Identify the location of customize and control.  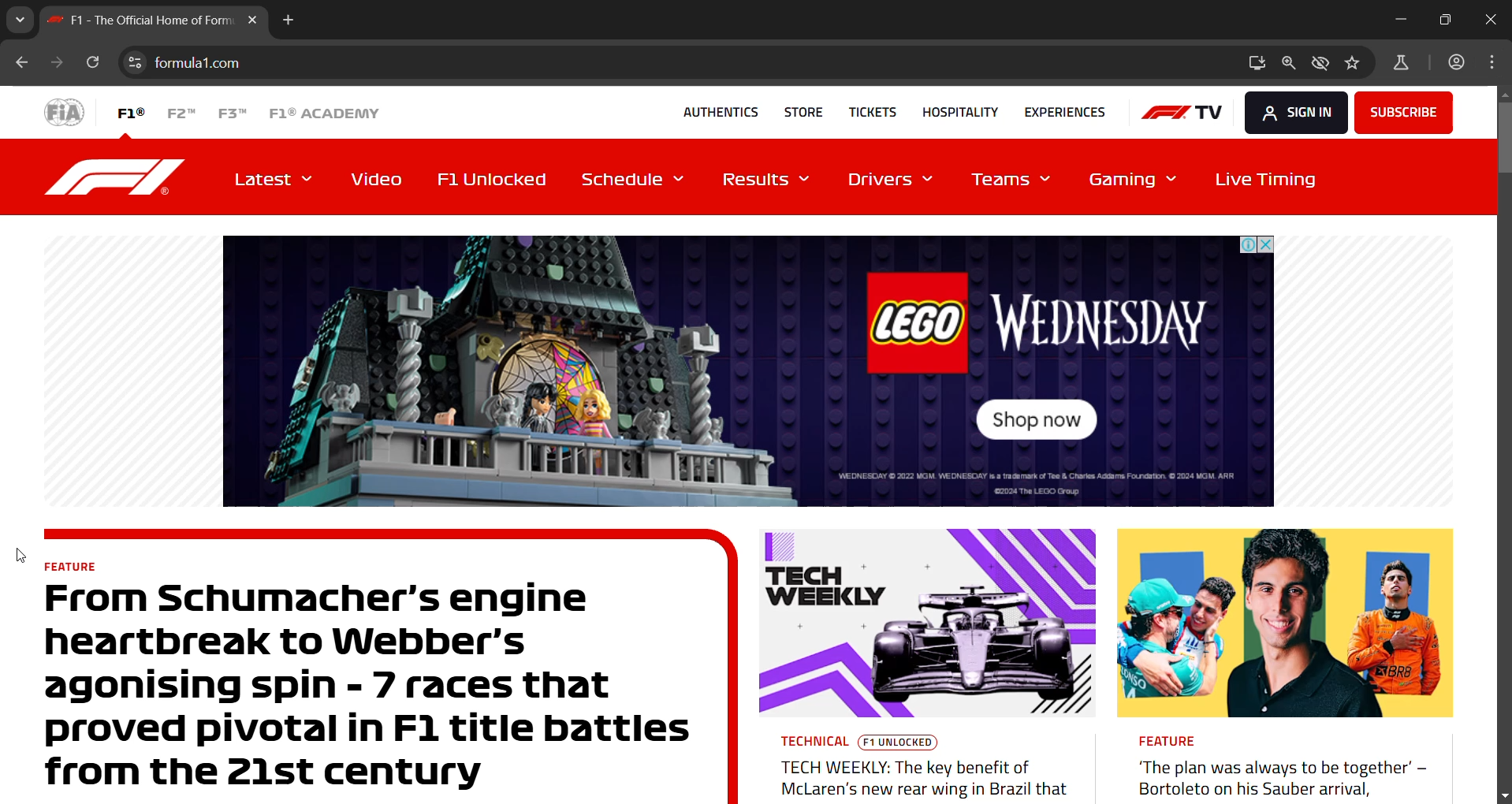
(1496, 62).